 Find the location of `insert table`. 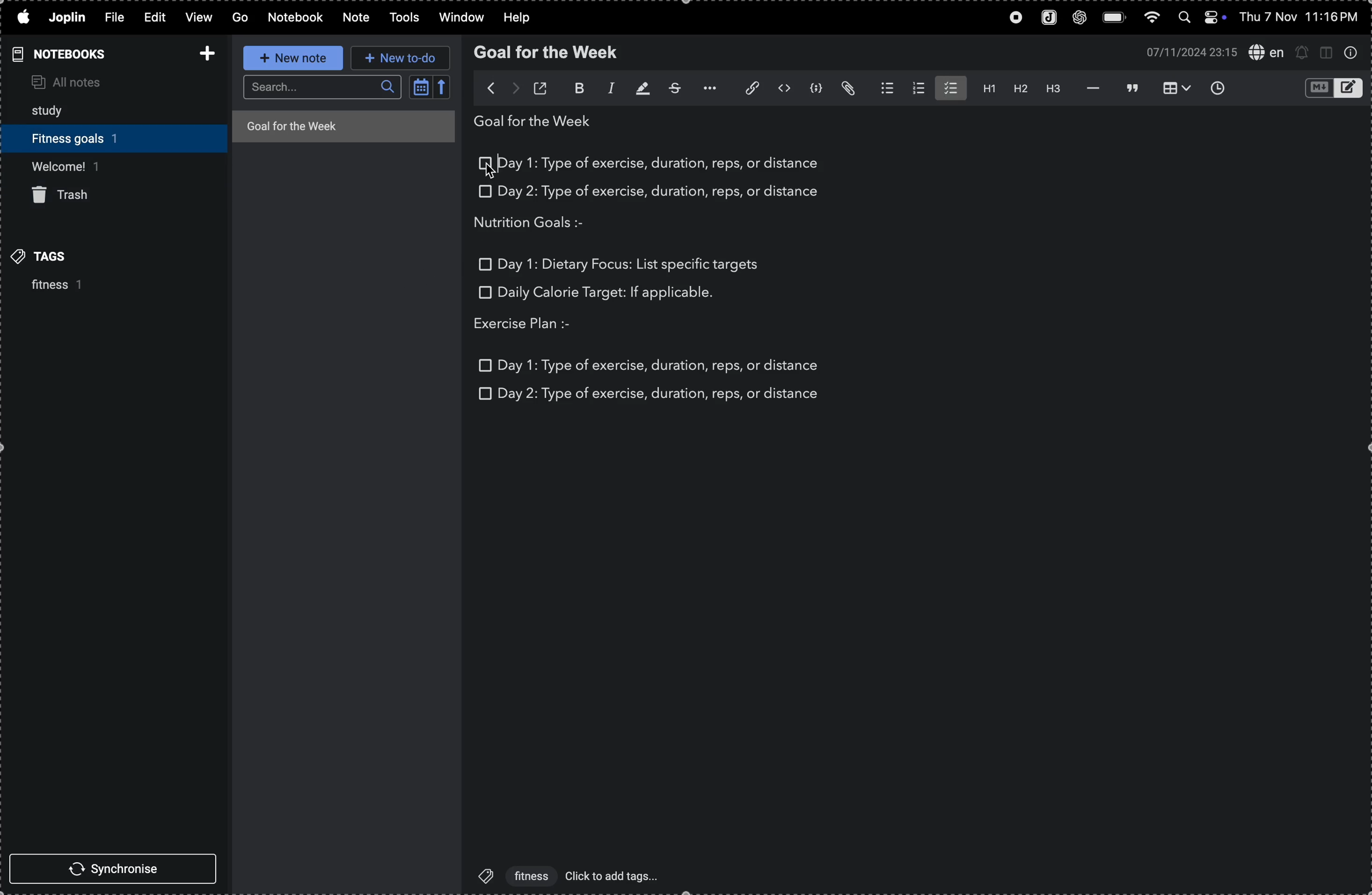

insert table is located at coordinates (1178, 88).